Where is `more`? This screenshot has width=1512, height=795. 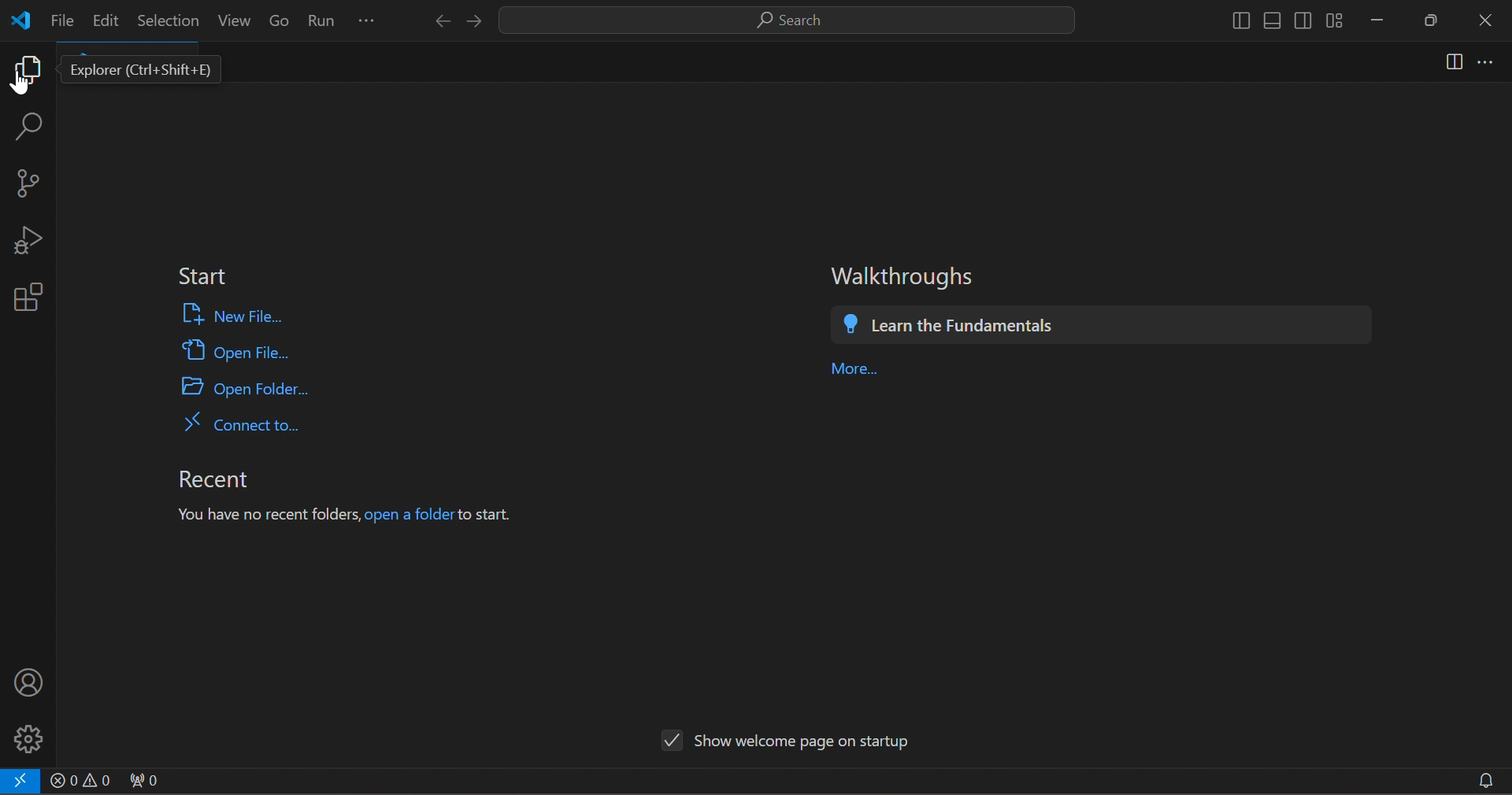 more is located at coordinates (855, 368).